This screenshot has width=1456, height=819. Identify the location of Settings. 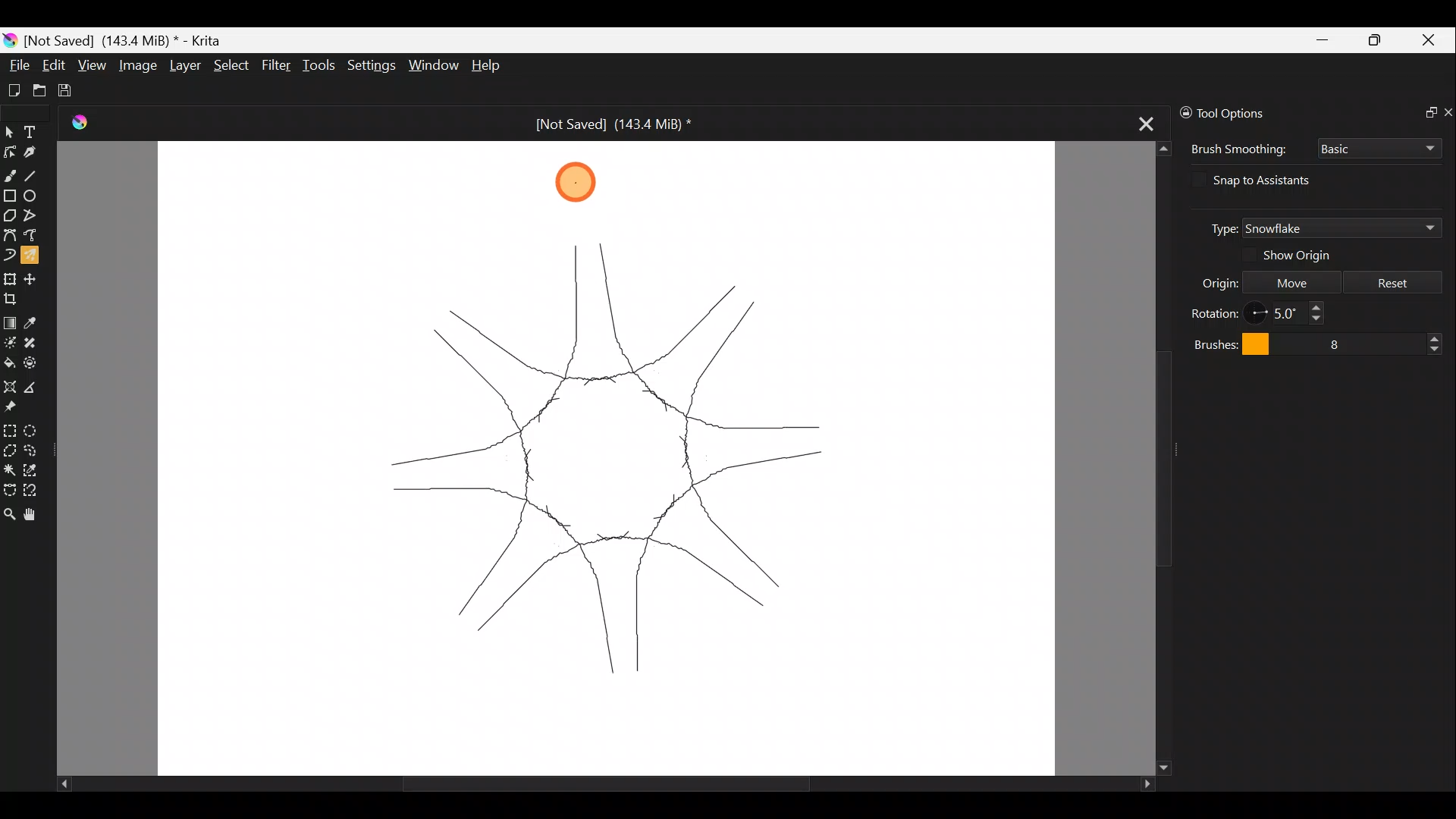
(369, 66).